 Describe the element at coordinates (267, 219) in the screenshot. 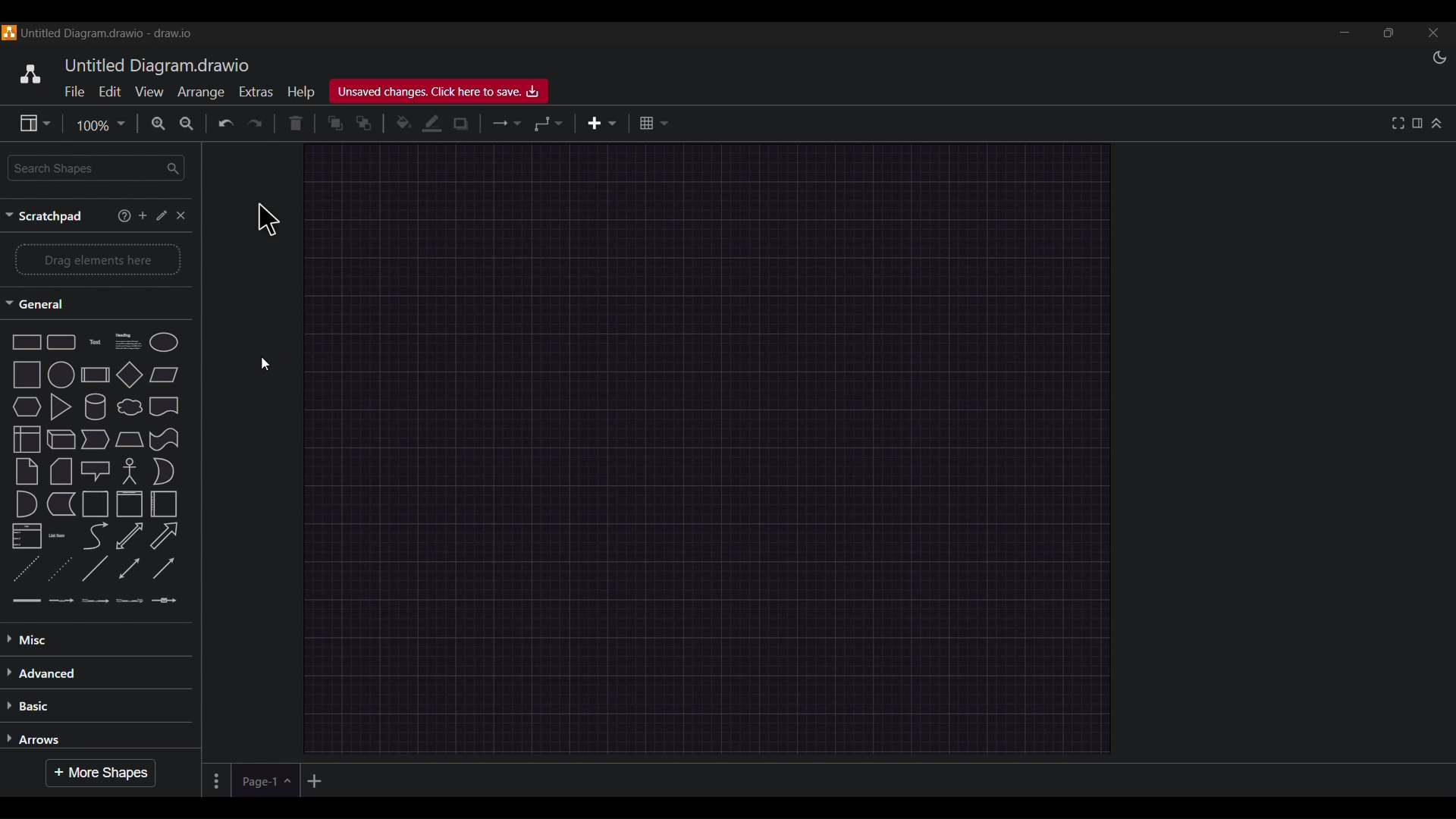

I see `cursor` at that location.